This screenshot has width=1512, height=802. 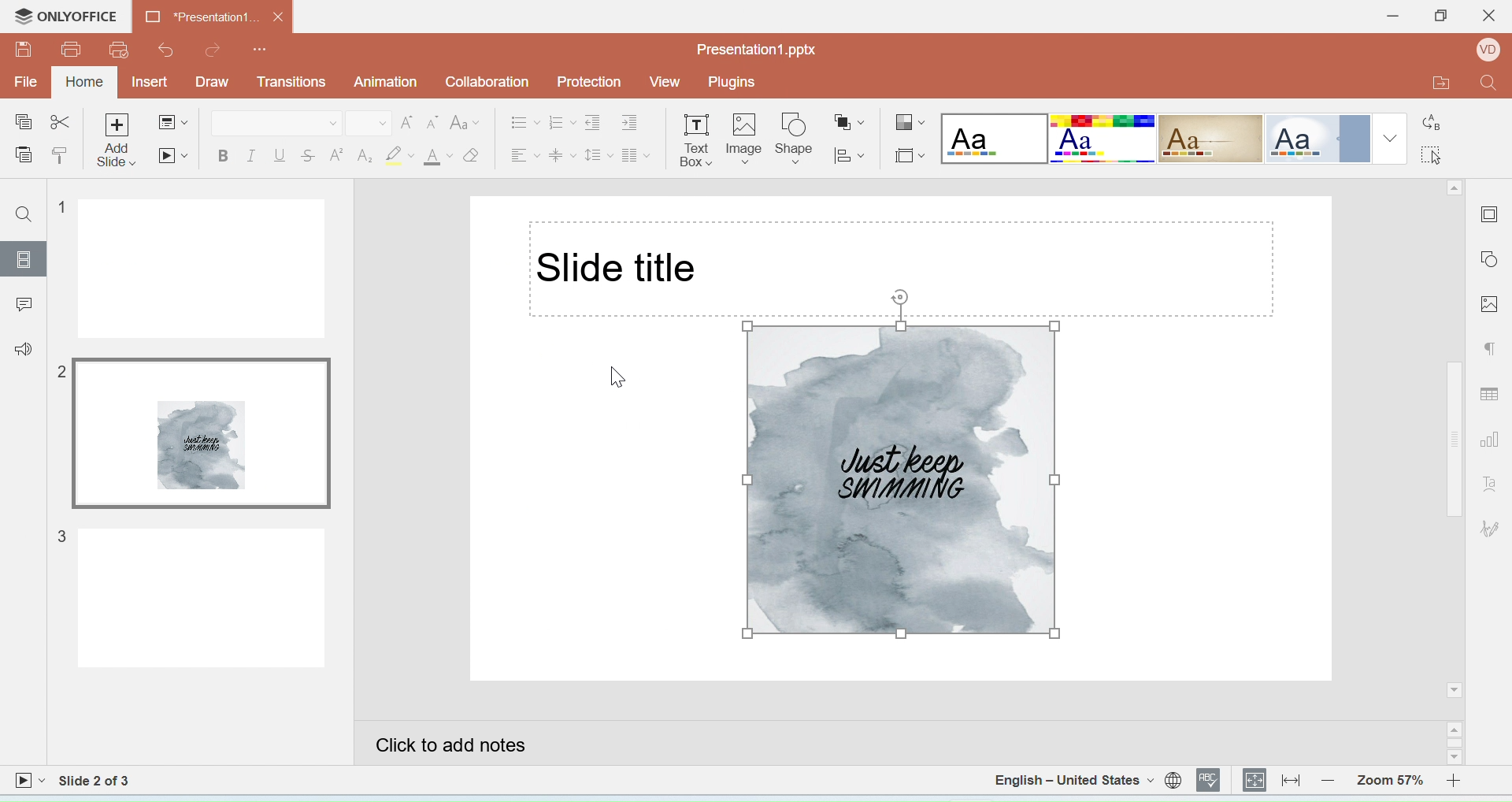 I want to click on Profile Name, so click(x=1484, y=52).